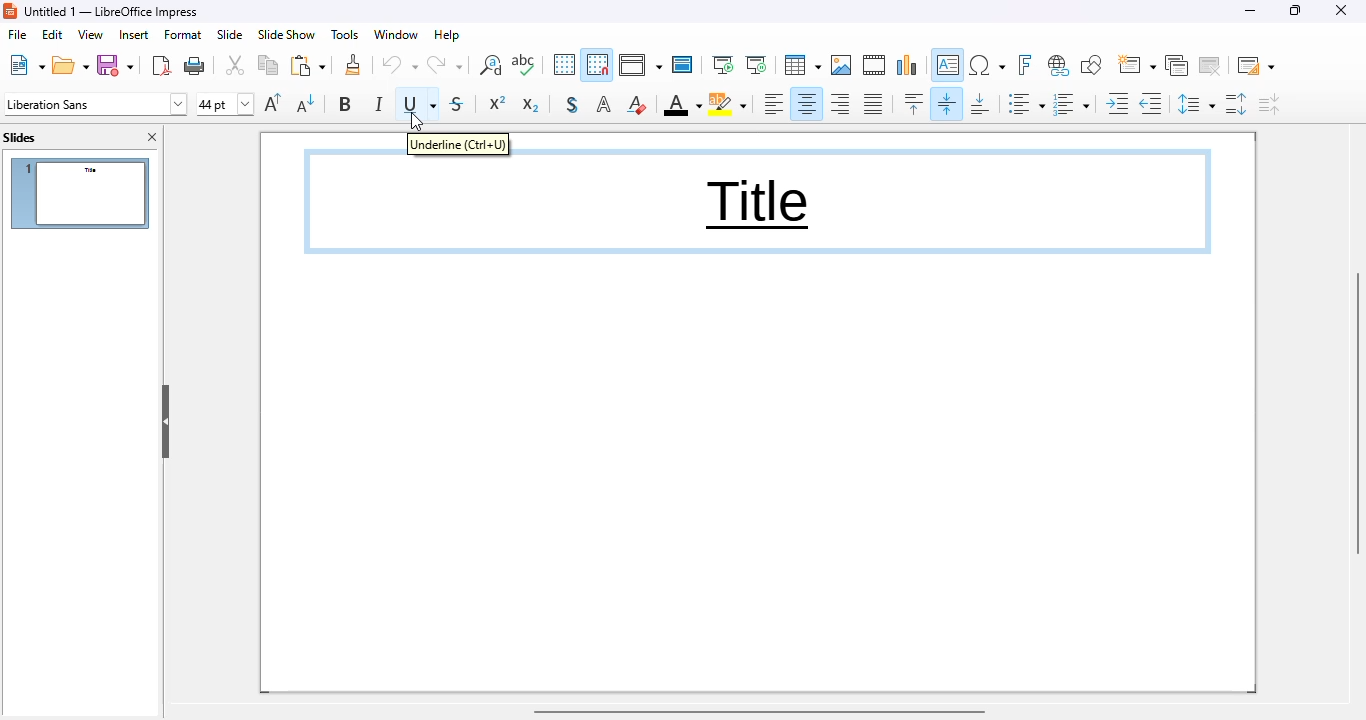  I want to click on superscript, so click(498, 102).